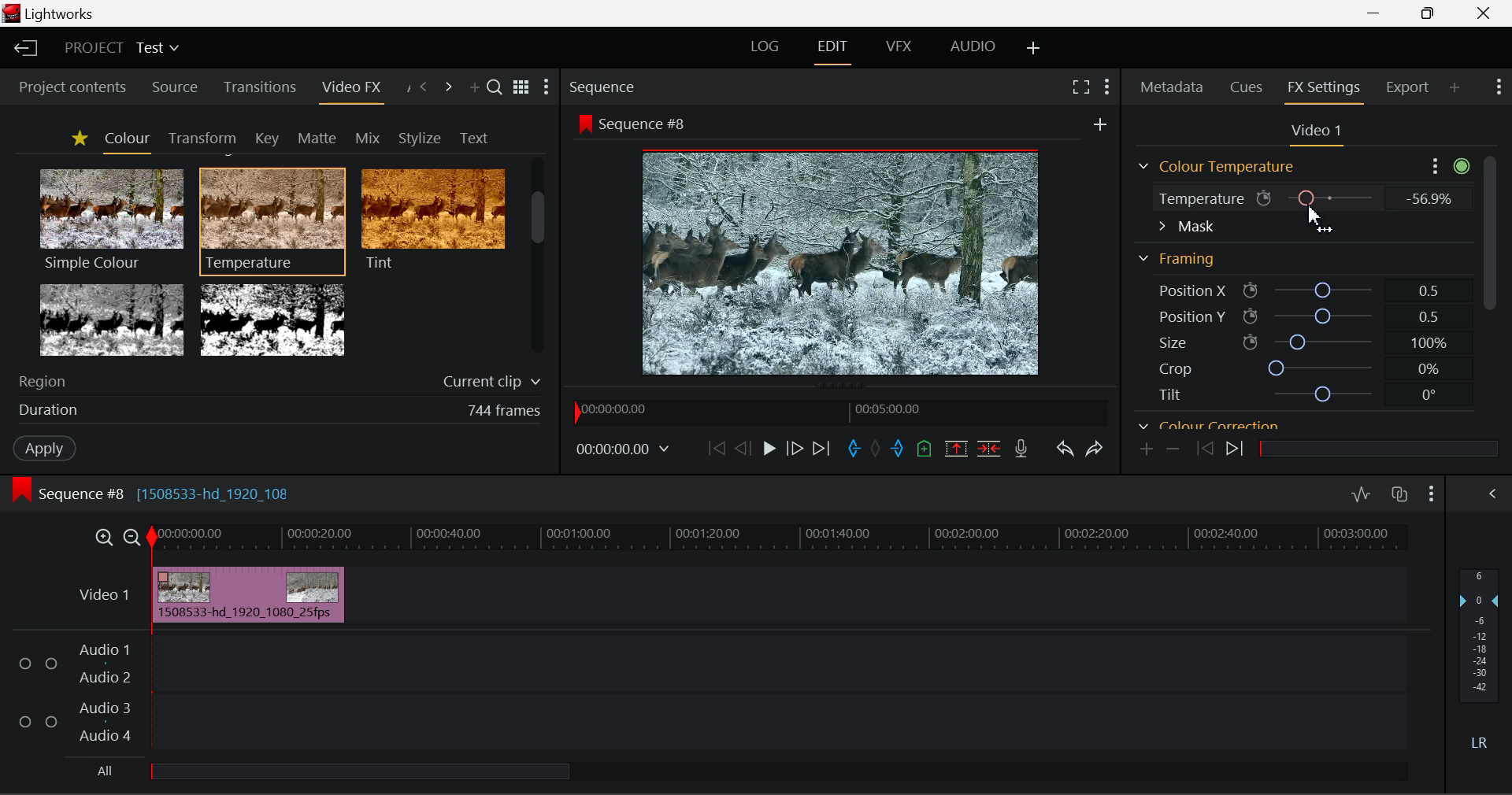  Describe the element at coordinates (1170, 87) in the screenshot. I see `Metadata` at that location.